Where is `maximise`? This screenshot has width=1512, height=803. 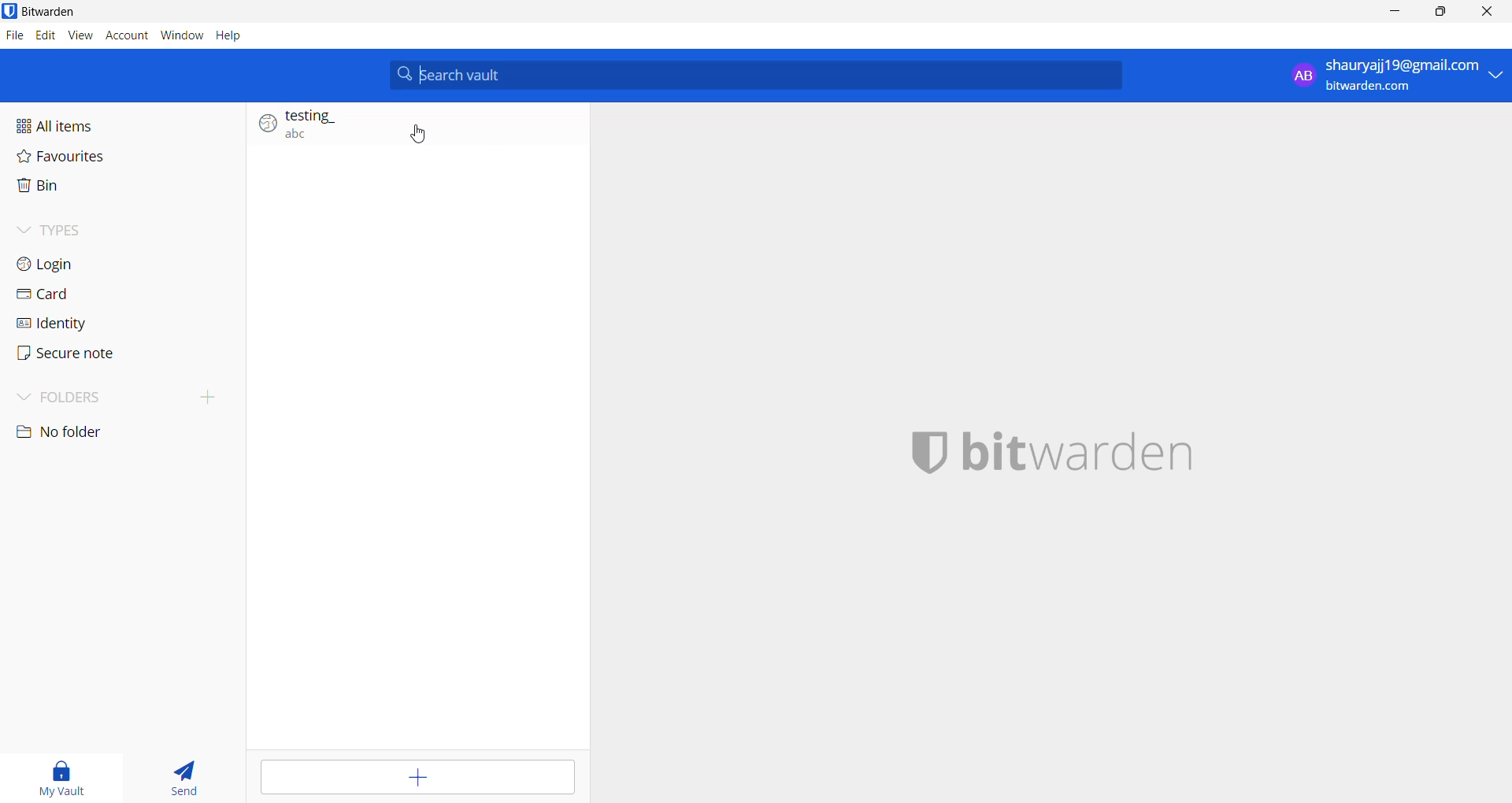 maximise is located at coordinates (1442, 15).